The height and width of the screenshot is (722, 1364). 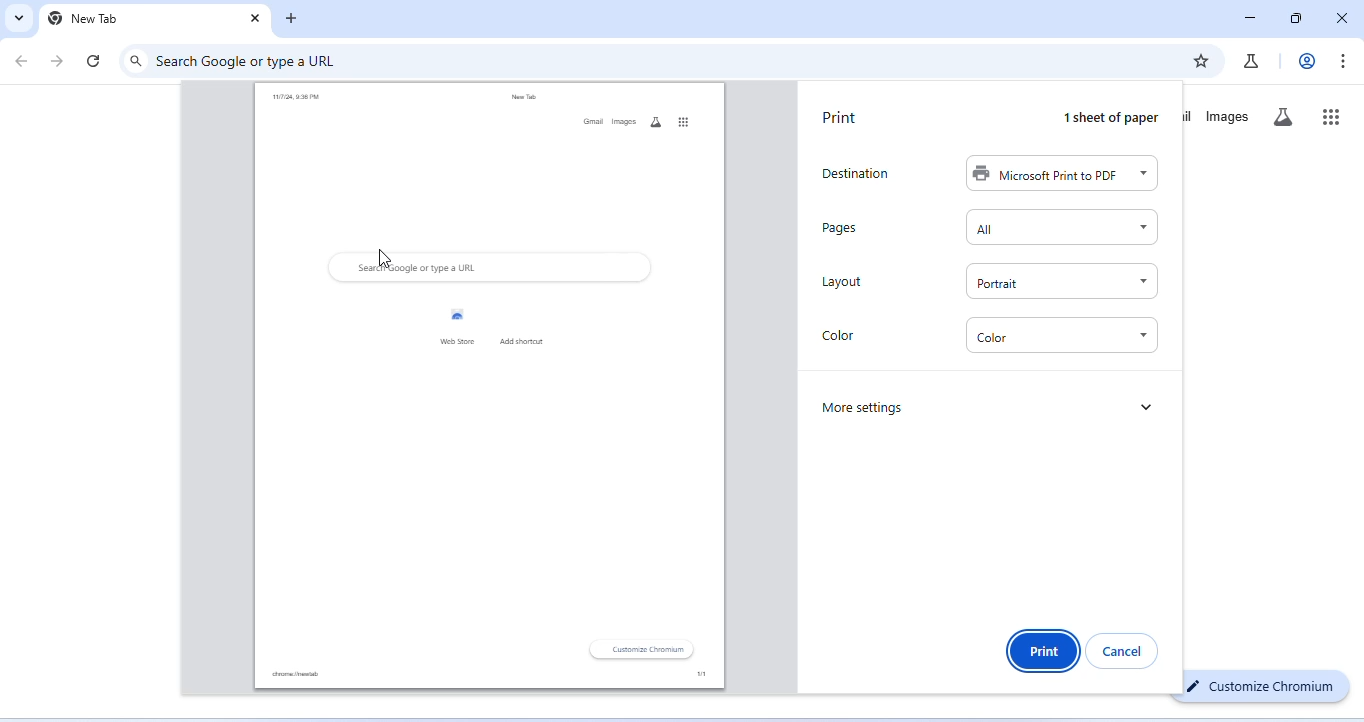 I want to click on color, so click(x=841, y=339).